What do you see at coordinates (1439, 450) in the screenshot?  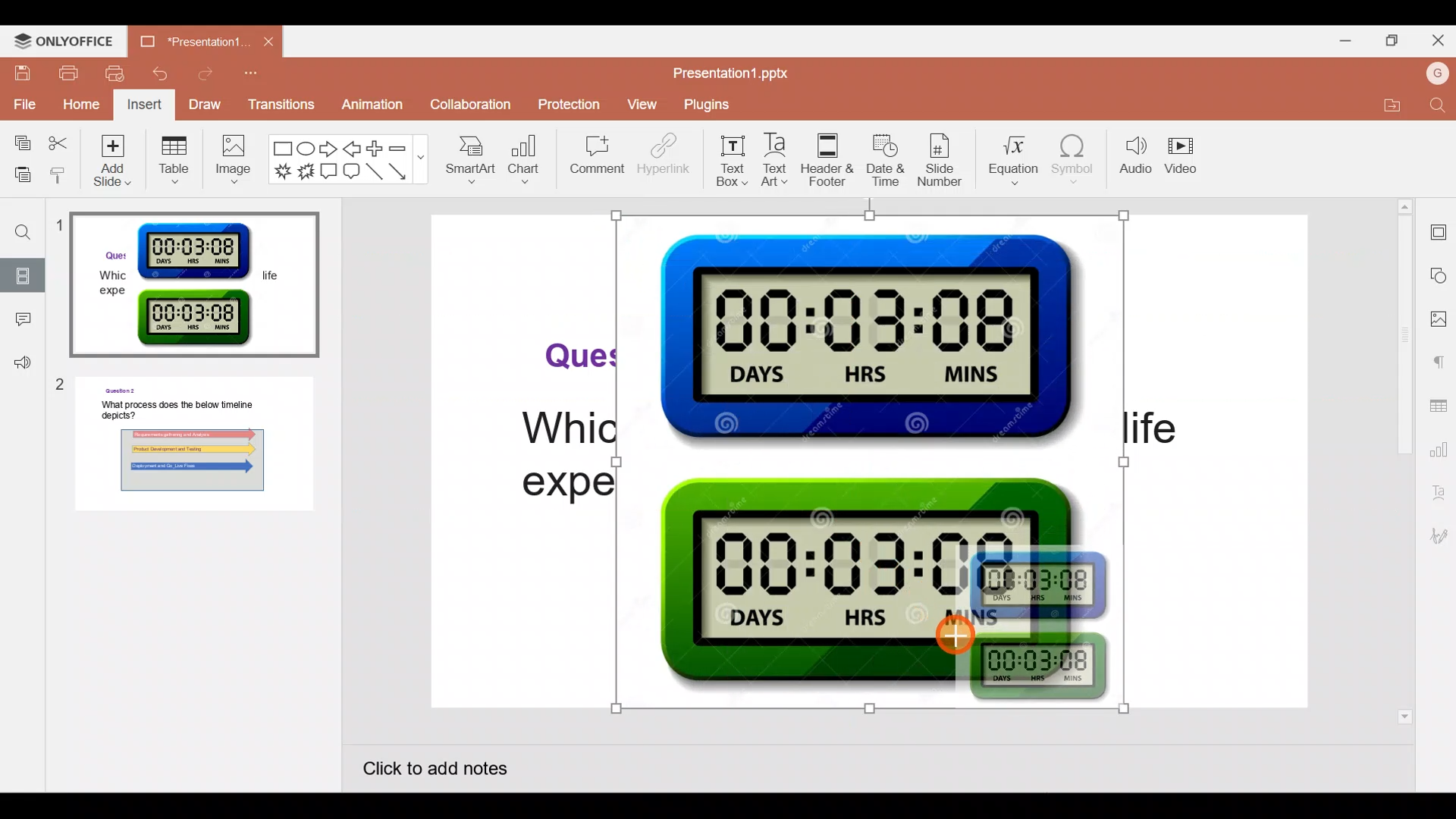 I see `Chart settings` at bounding box center [1439, 450].